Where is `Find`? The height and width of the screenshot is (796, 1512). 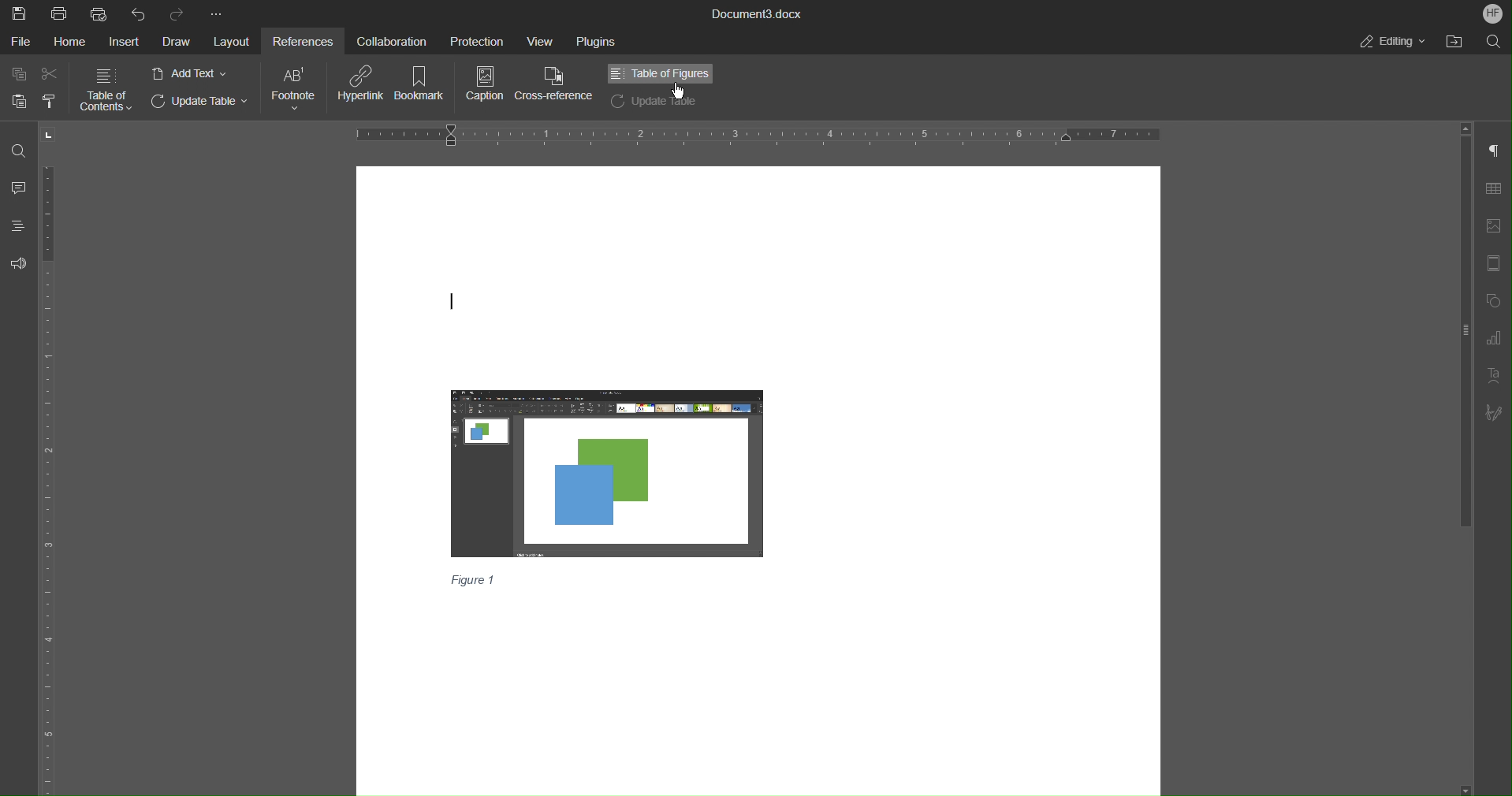 Find is located at coordinates (18, 150).